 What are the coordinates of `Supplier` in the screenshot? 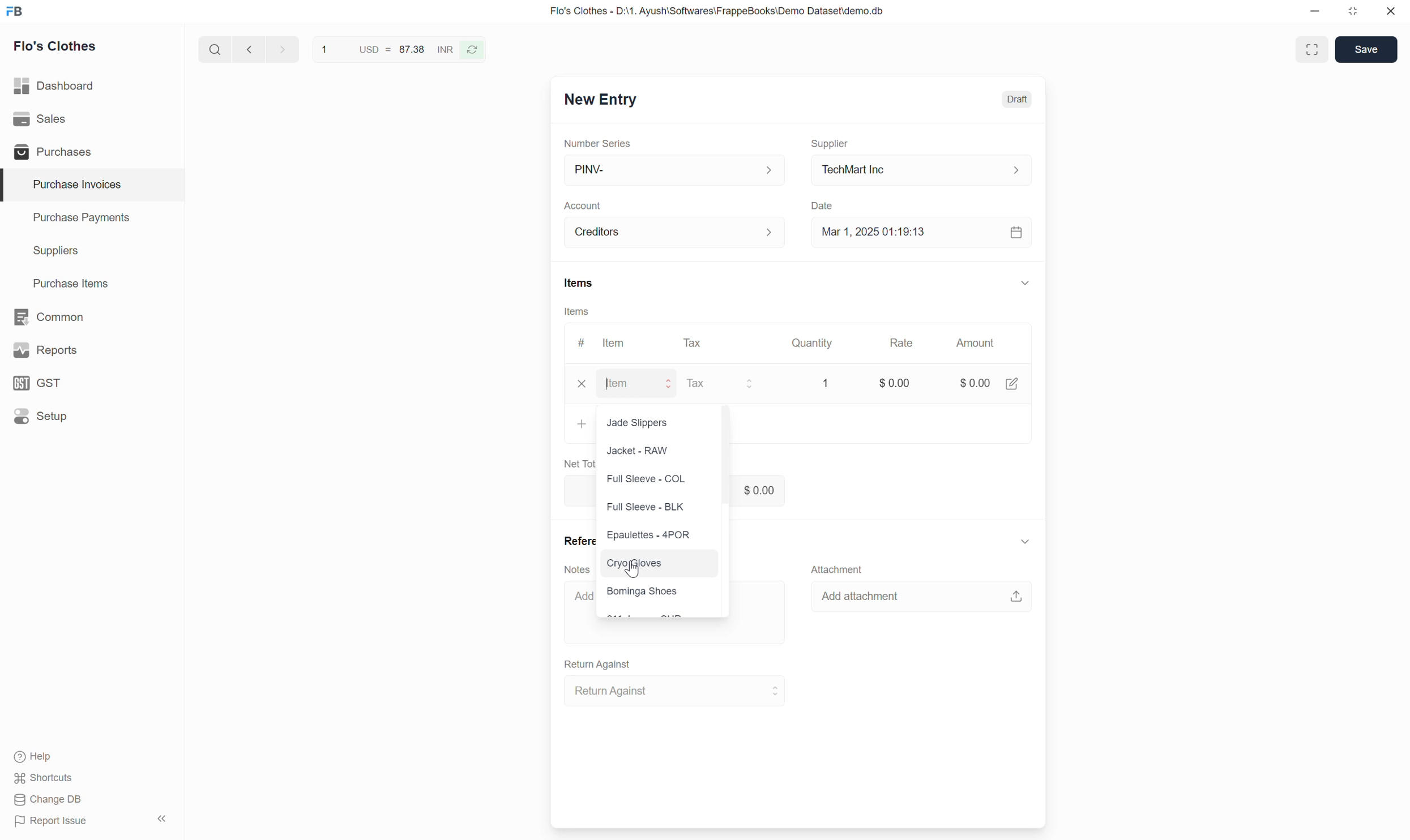 It's located at (831, 139).